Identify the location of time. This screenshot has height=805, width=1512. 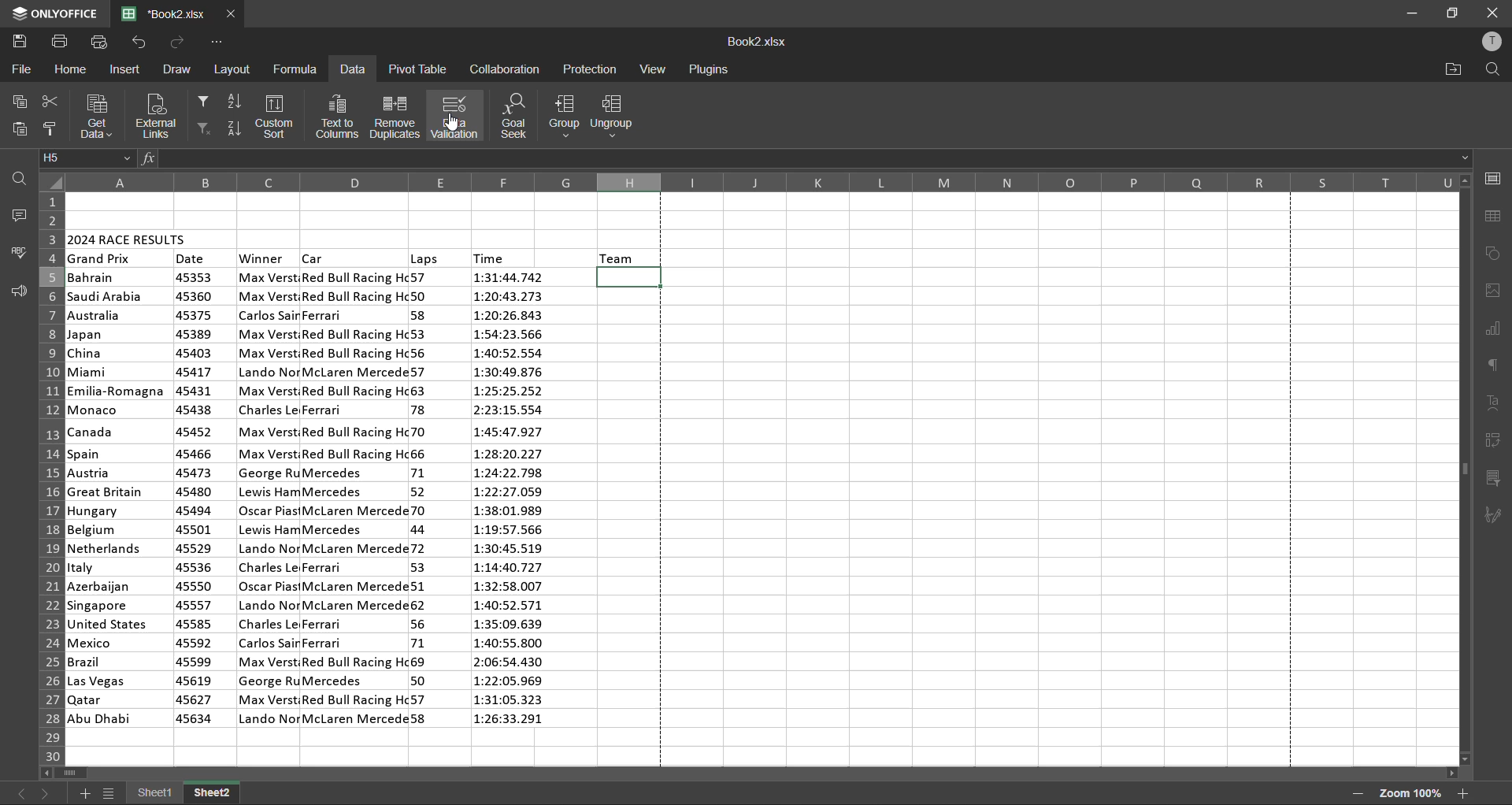
(513, 501).